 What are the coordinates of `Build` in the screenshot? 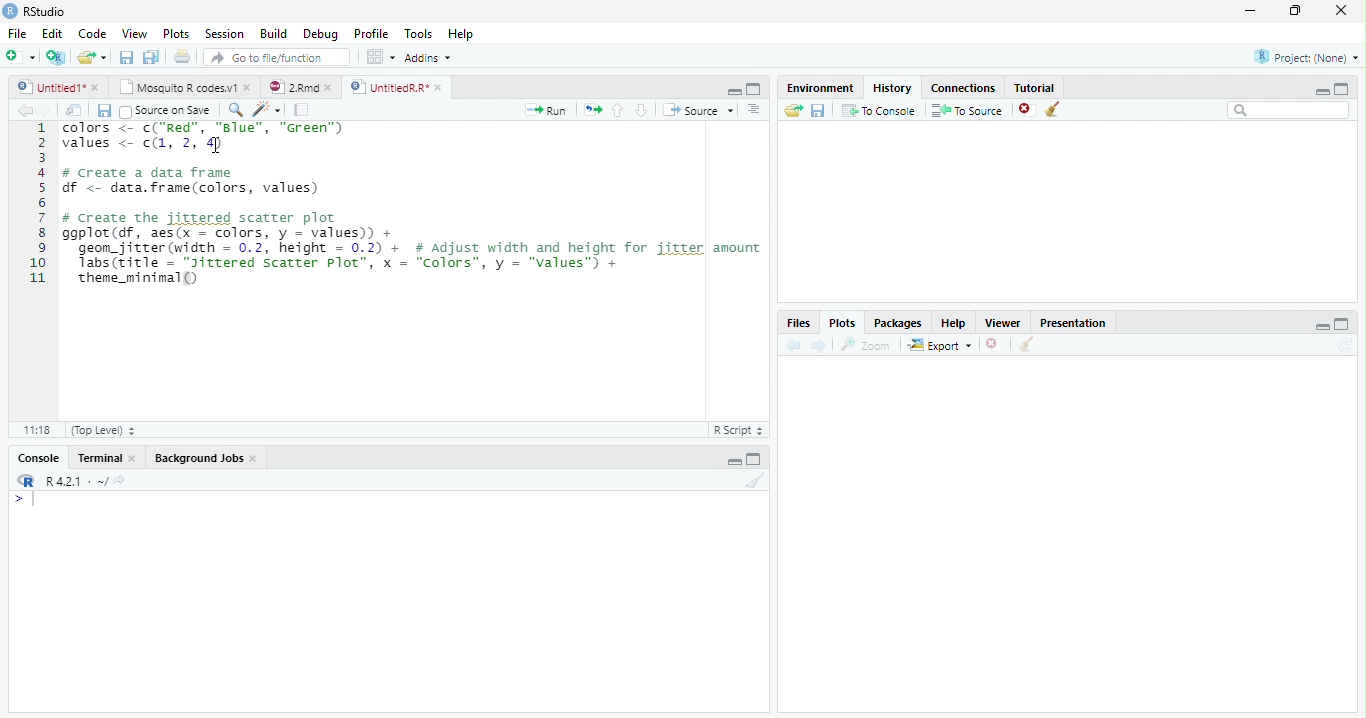 It's located at (272, 33).